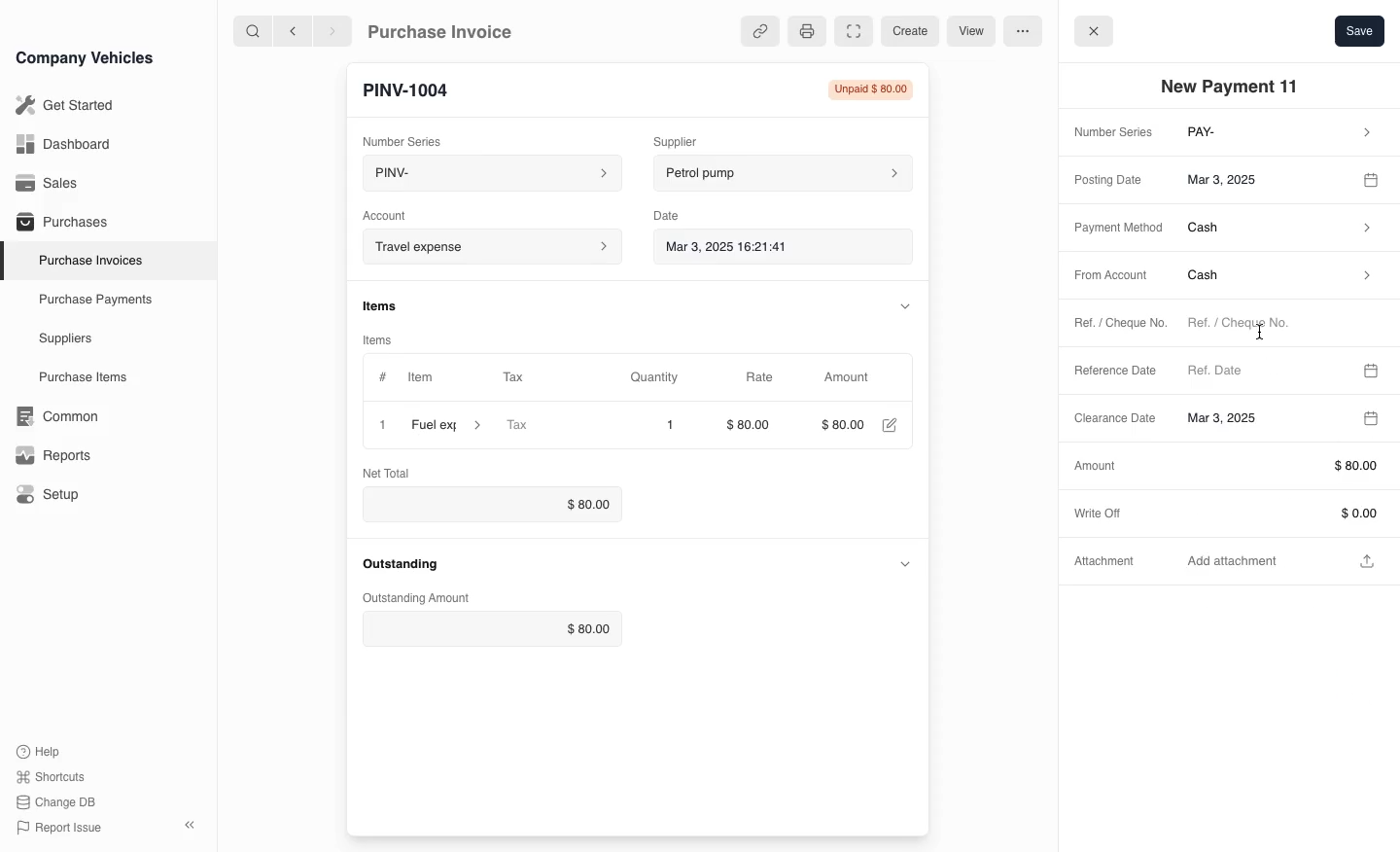  What do you see at coordinates (670, 425) in the screenshot?
I see `1` at bounding box center [670, 425].